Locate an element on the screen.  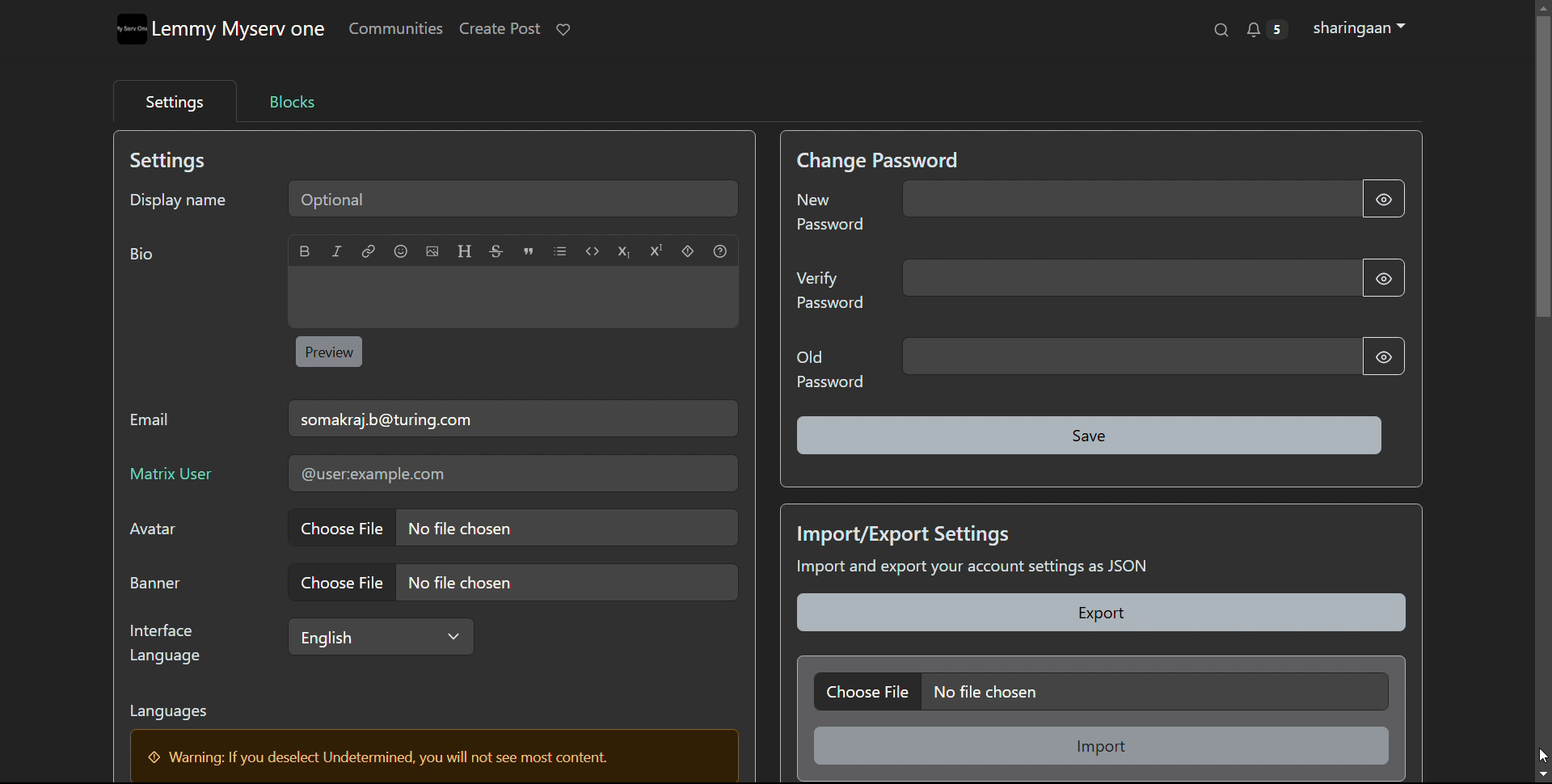
blocks is located at coordinates (291, 101).